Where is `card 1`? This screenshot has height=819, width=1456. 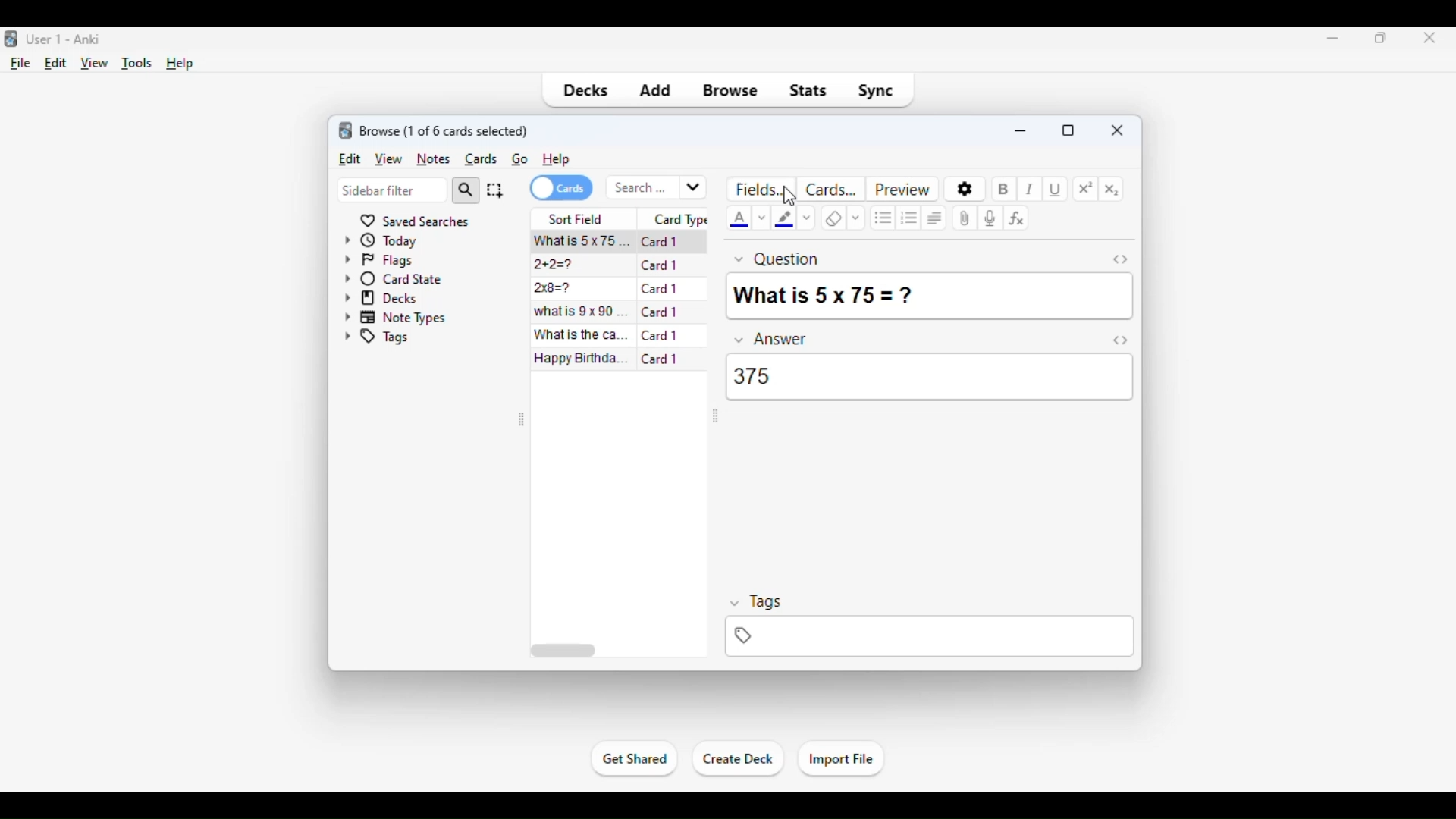
card 1 is located at coordinates (661, 288).